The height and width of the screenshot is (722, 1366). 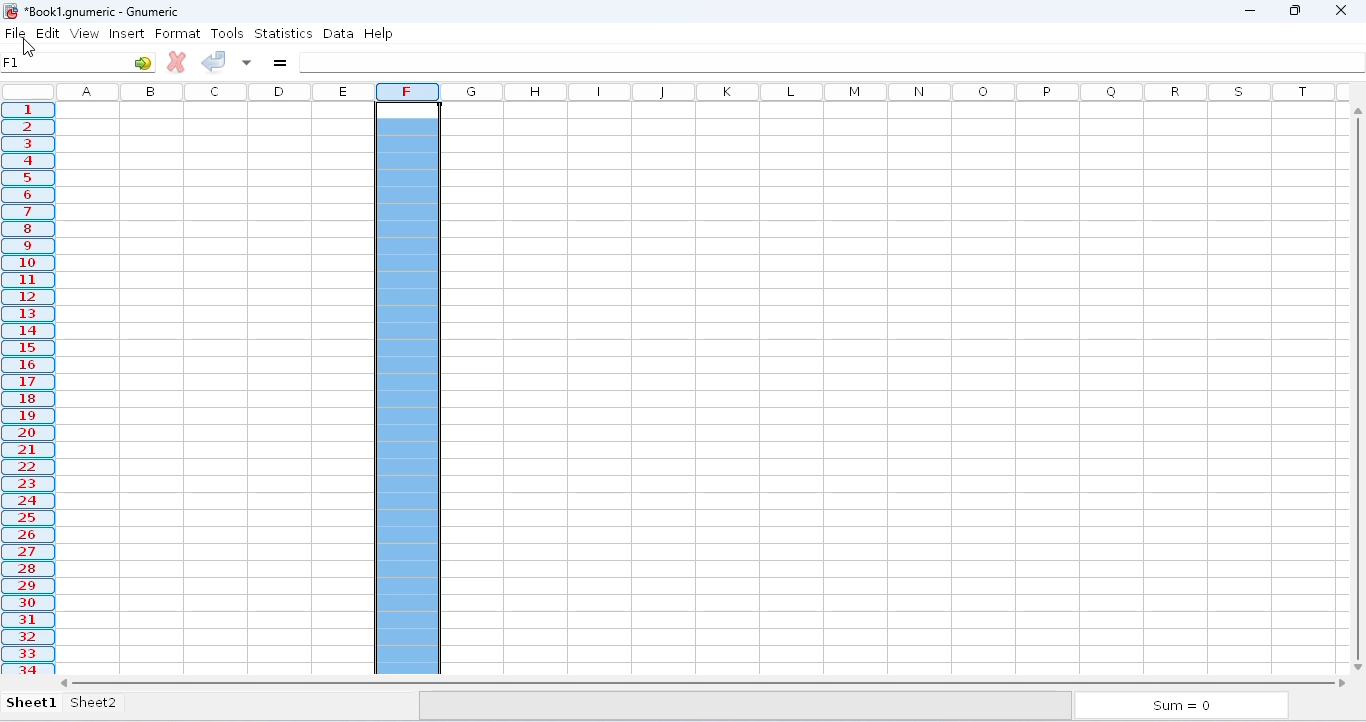 What do you see at coordinates (832, 63) in the screenshot?
I see `formula bar` at bounding box center [832, 63].